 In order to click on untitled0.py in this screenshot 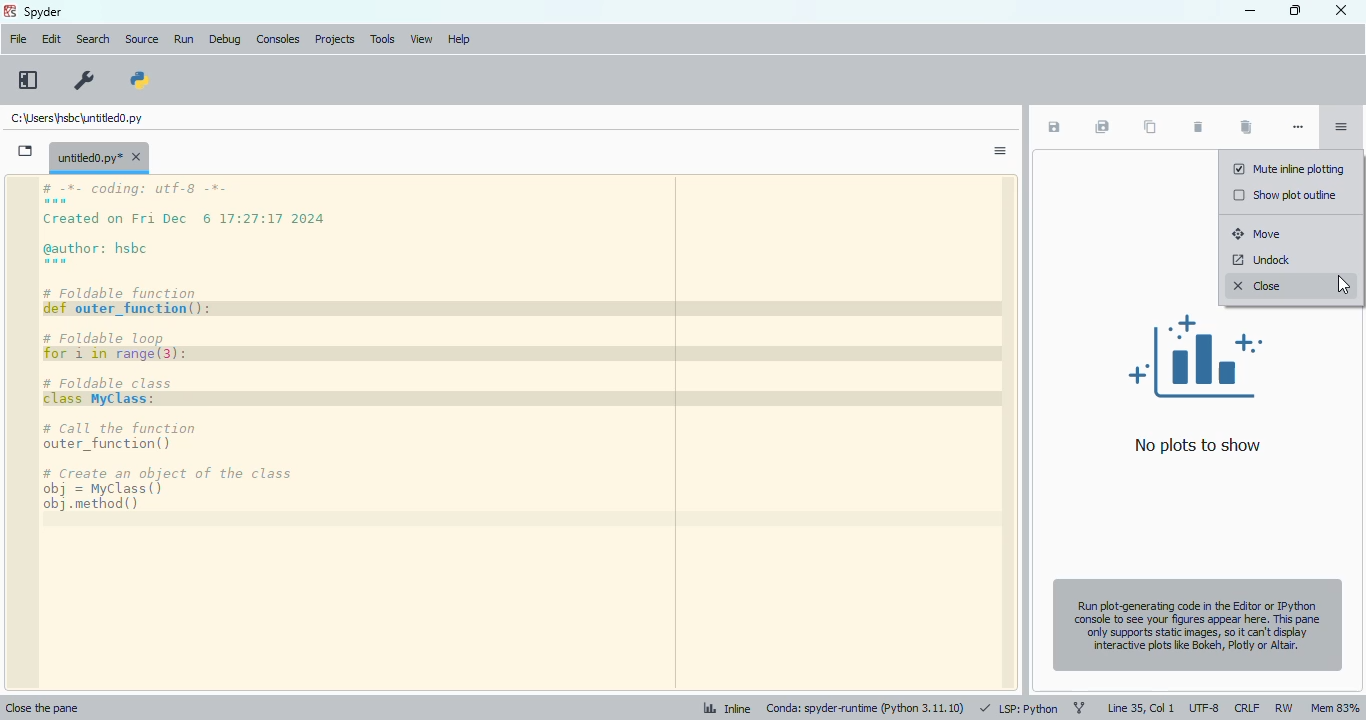, I will do `click(76, 118)`.